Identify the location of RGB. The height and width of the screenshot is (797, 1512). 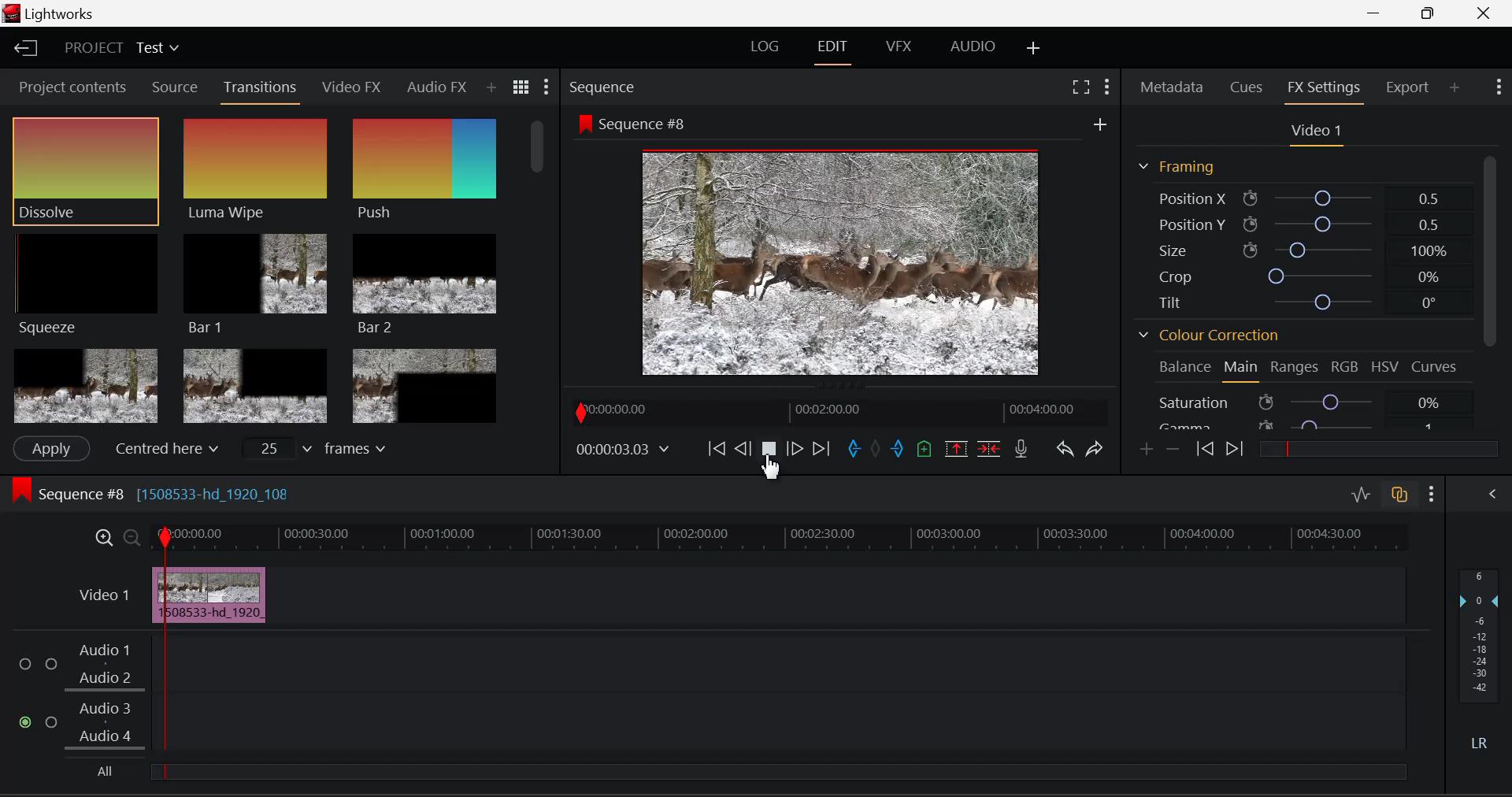
(1342, 369).